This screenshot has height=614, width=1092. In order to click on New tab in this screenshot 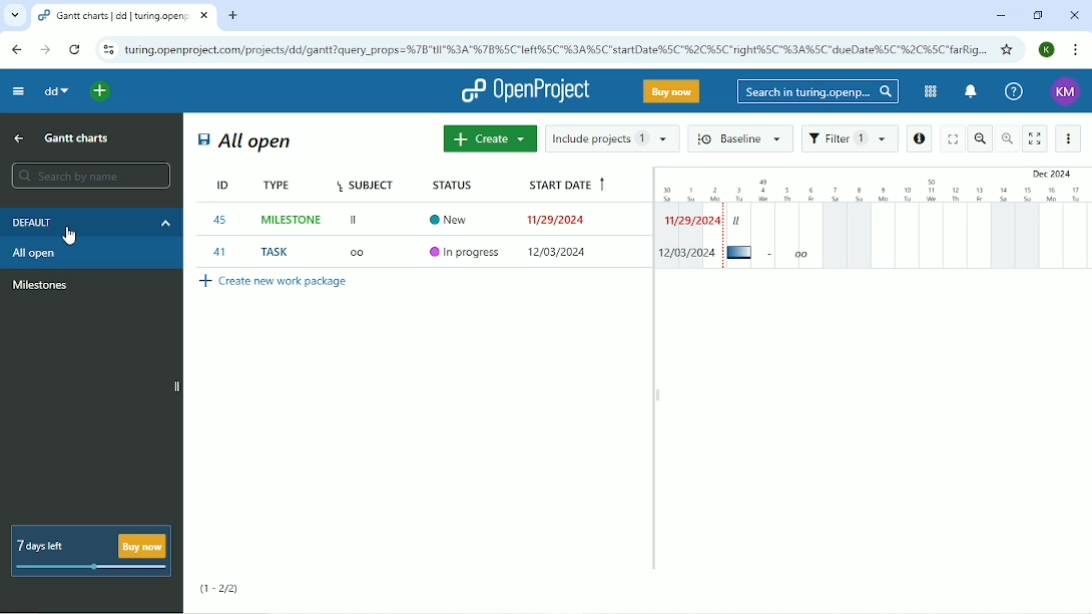, I will do `click(233, 15)`.